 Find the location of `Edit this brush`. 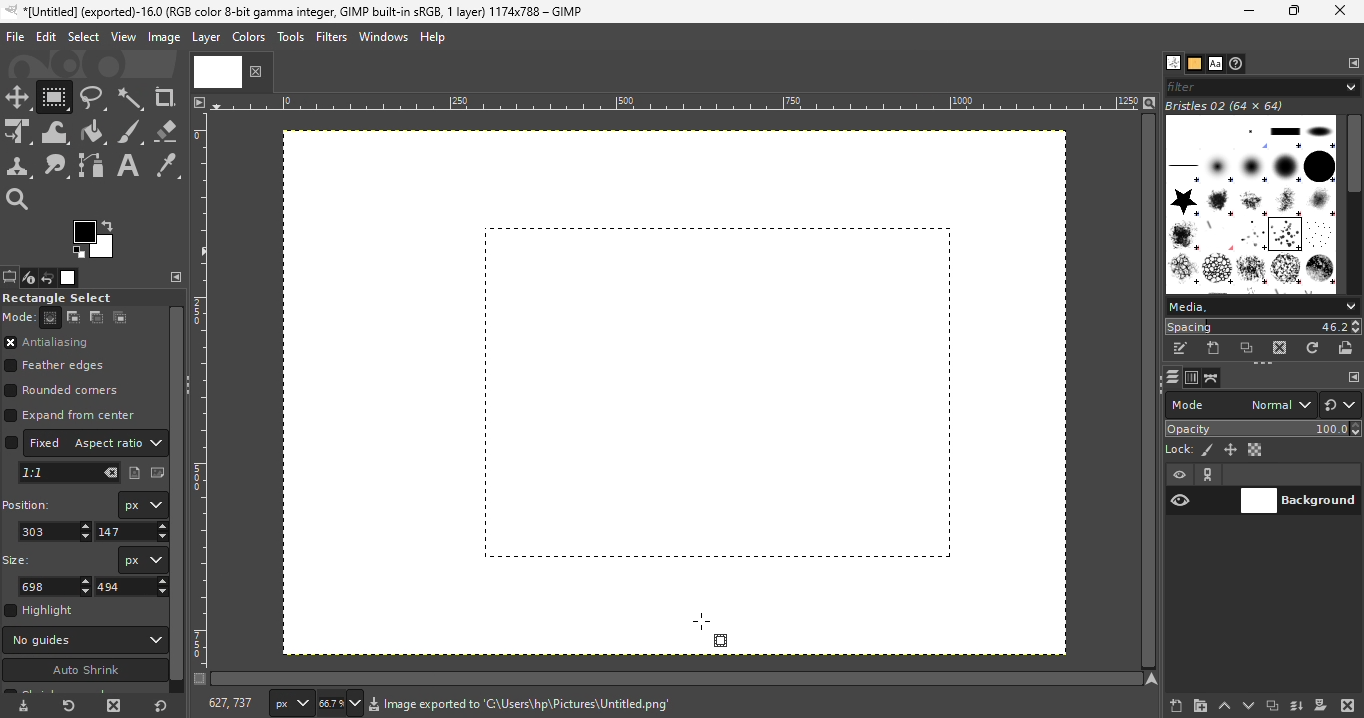

Edit this brush is located at coordinates (1180, 349).